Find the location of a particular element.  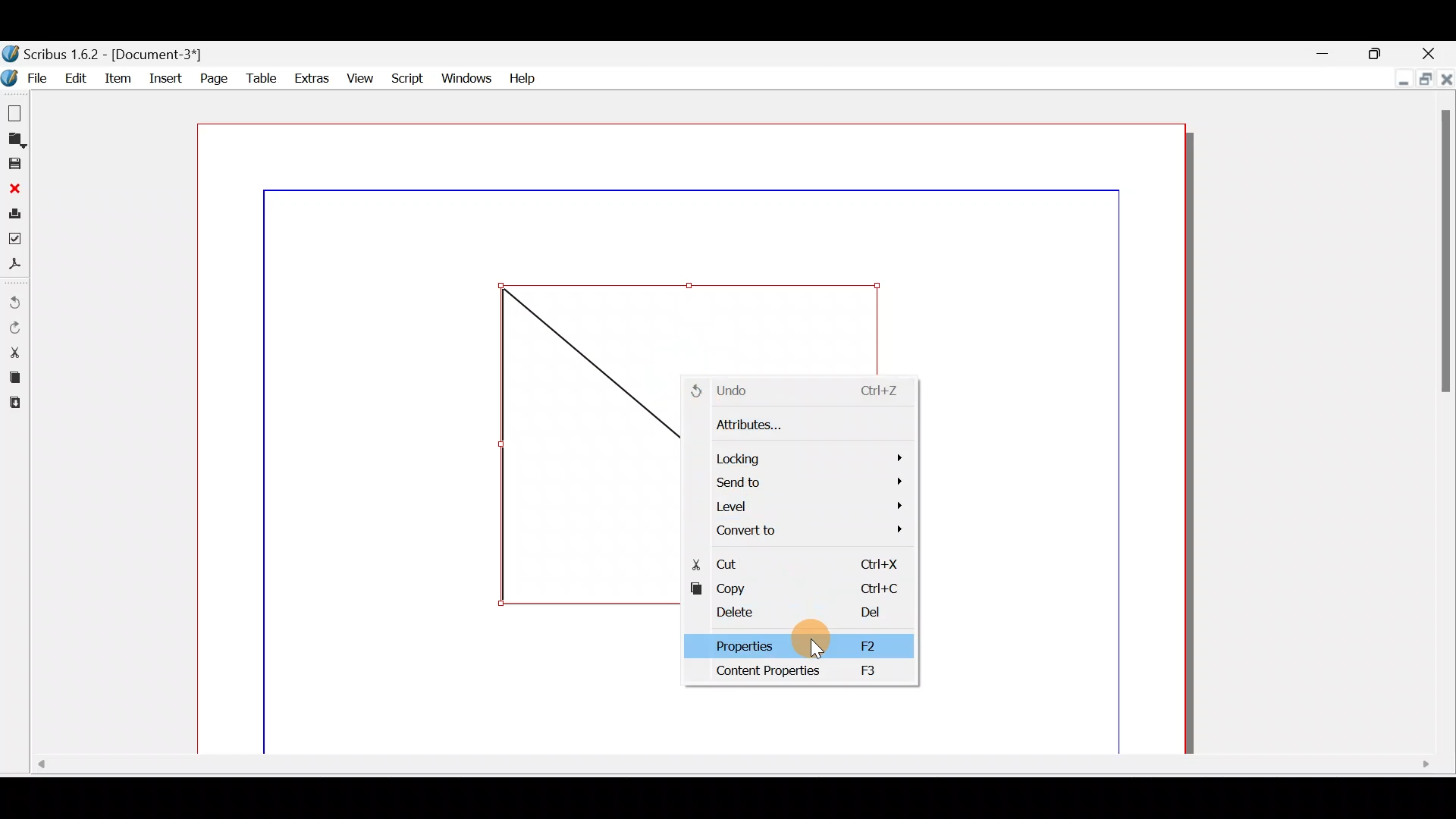

Copy is located at coordinates (797, 591).